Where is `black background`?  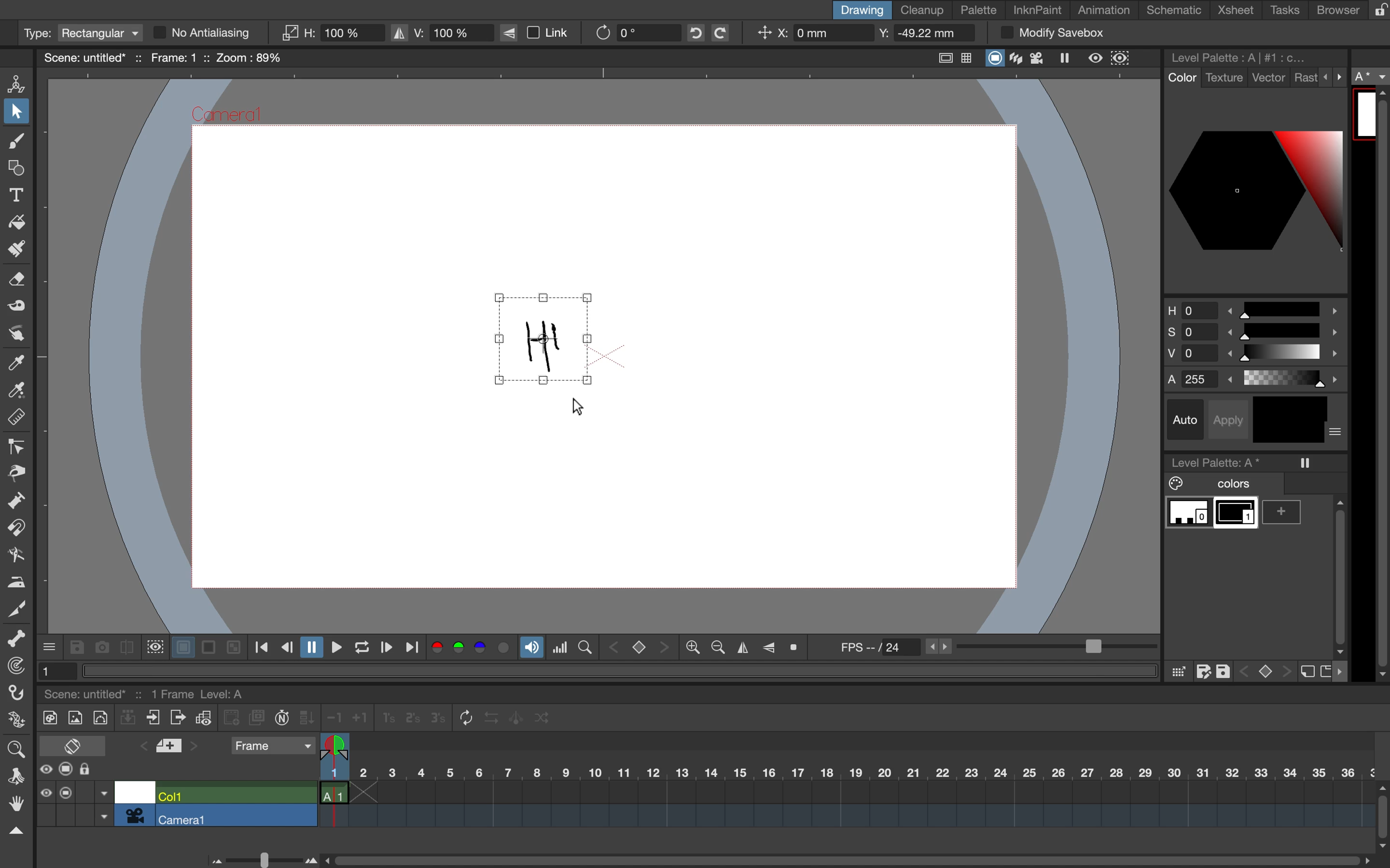 black background is located at coordinates (208, 648).